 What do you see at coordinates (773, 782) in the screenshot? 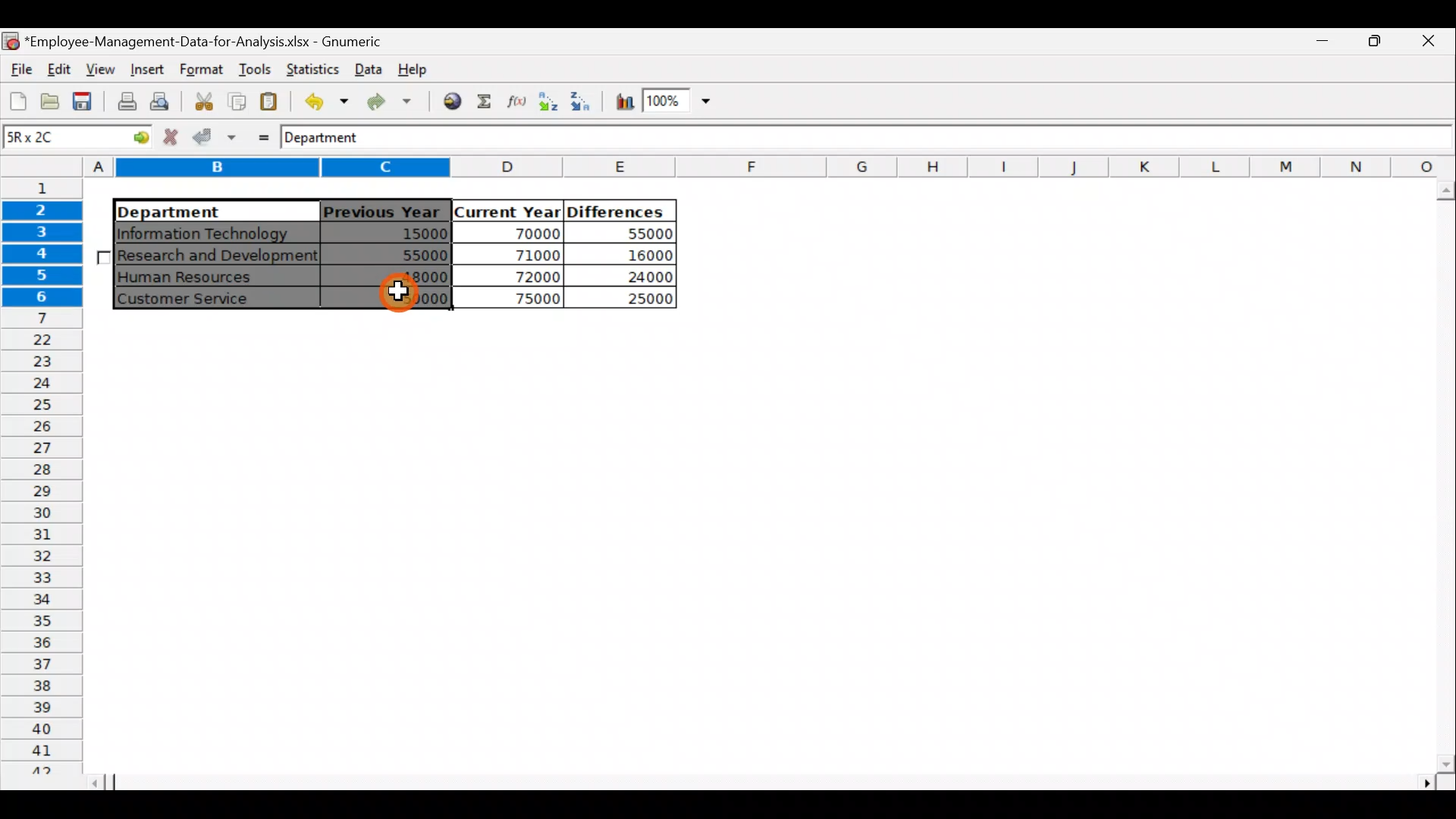
I see `Scroll bar` at bounding box center [773, 782].